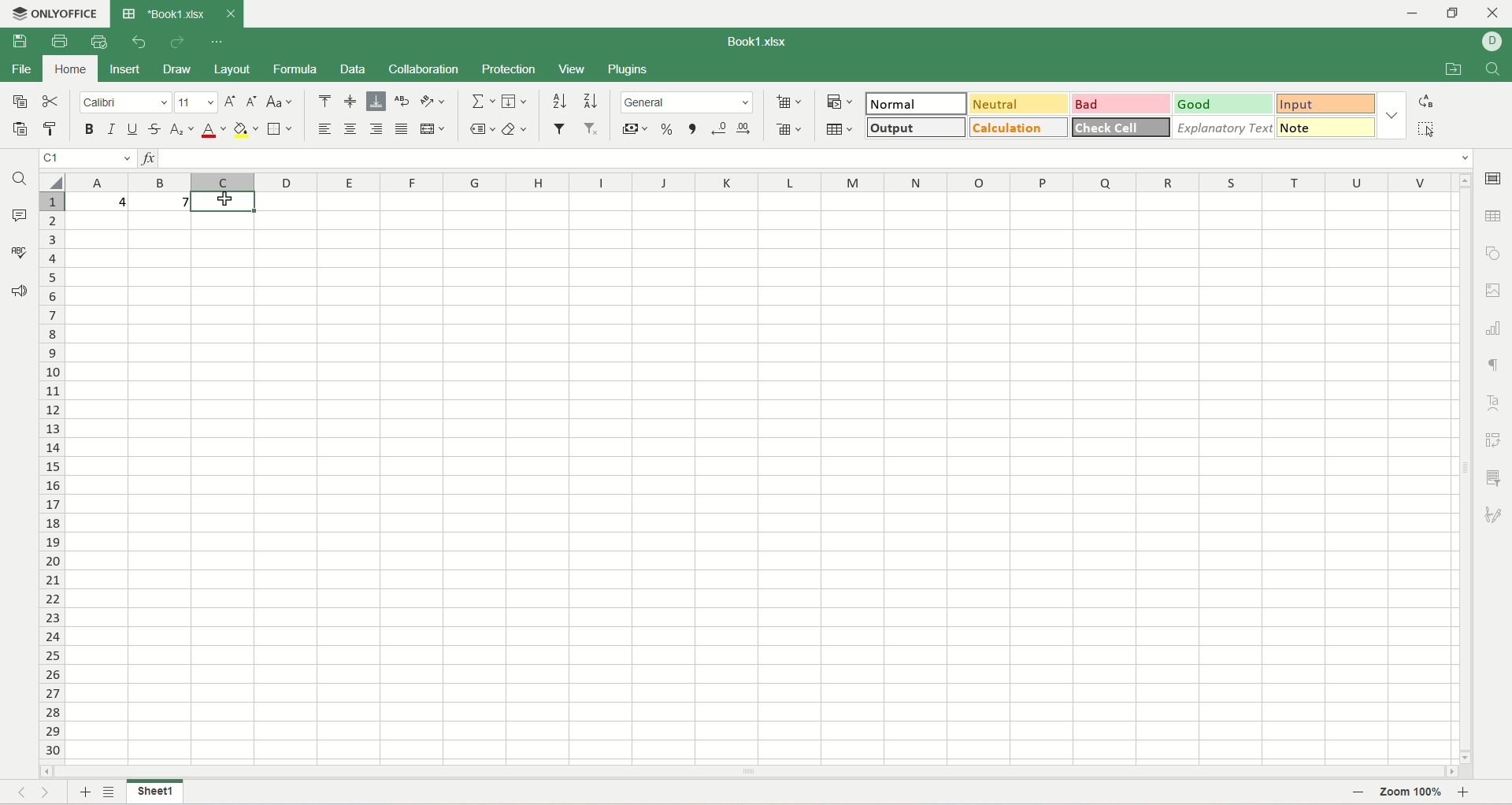 Image resolution: width=1512 pixels, height=805 pixels. What do you see at coordinates (183, 129) in the screenshot?
I see `subscript` at bounding box center [183, 129].